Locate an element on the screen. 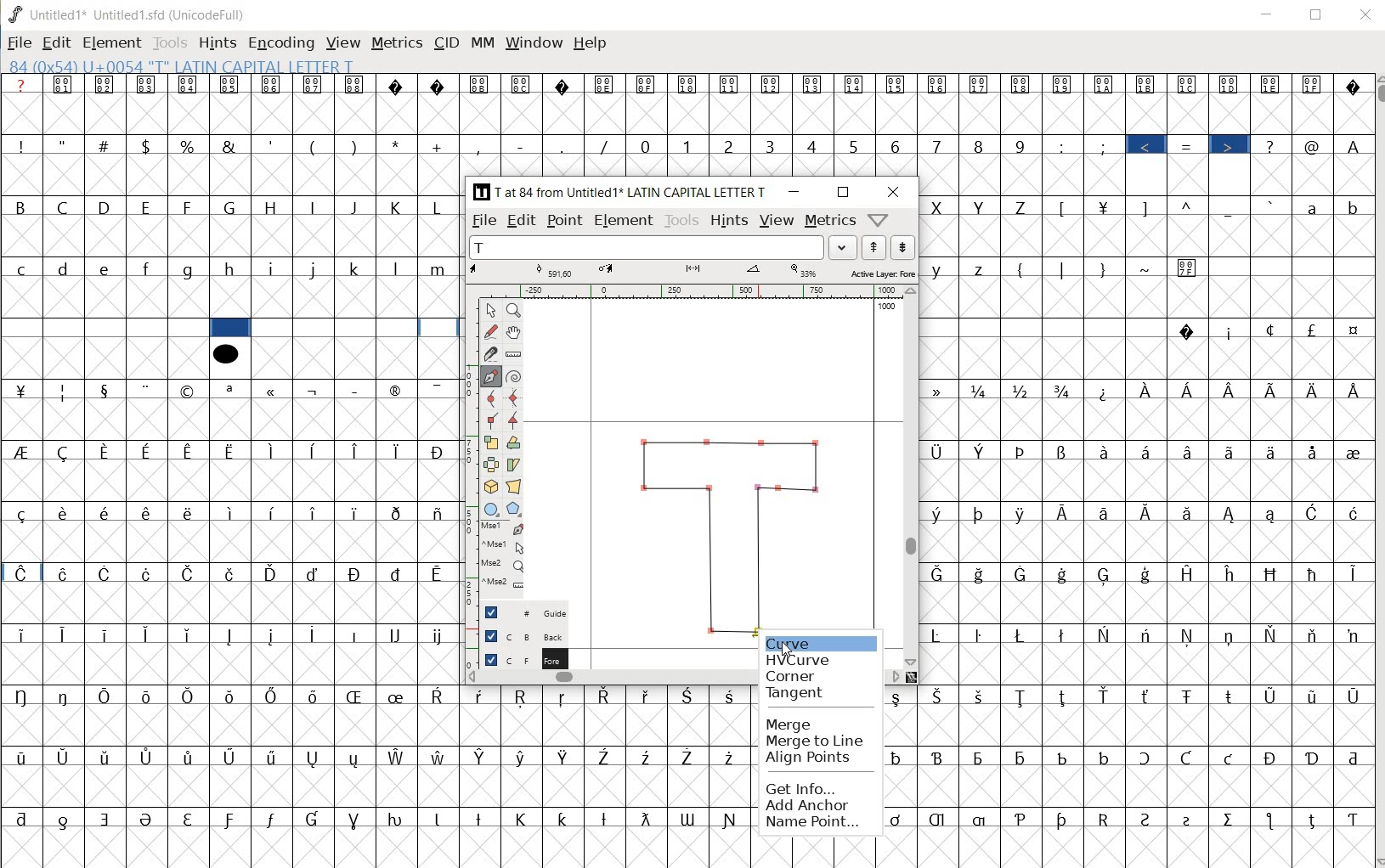  rotate is located at coordinates (517, 443).